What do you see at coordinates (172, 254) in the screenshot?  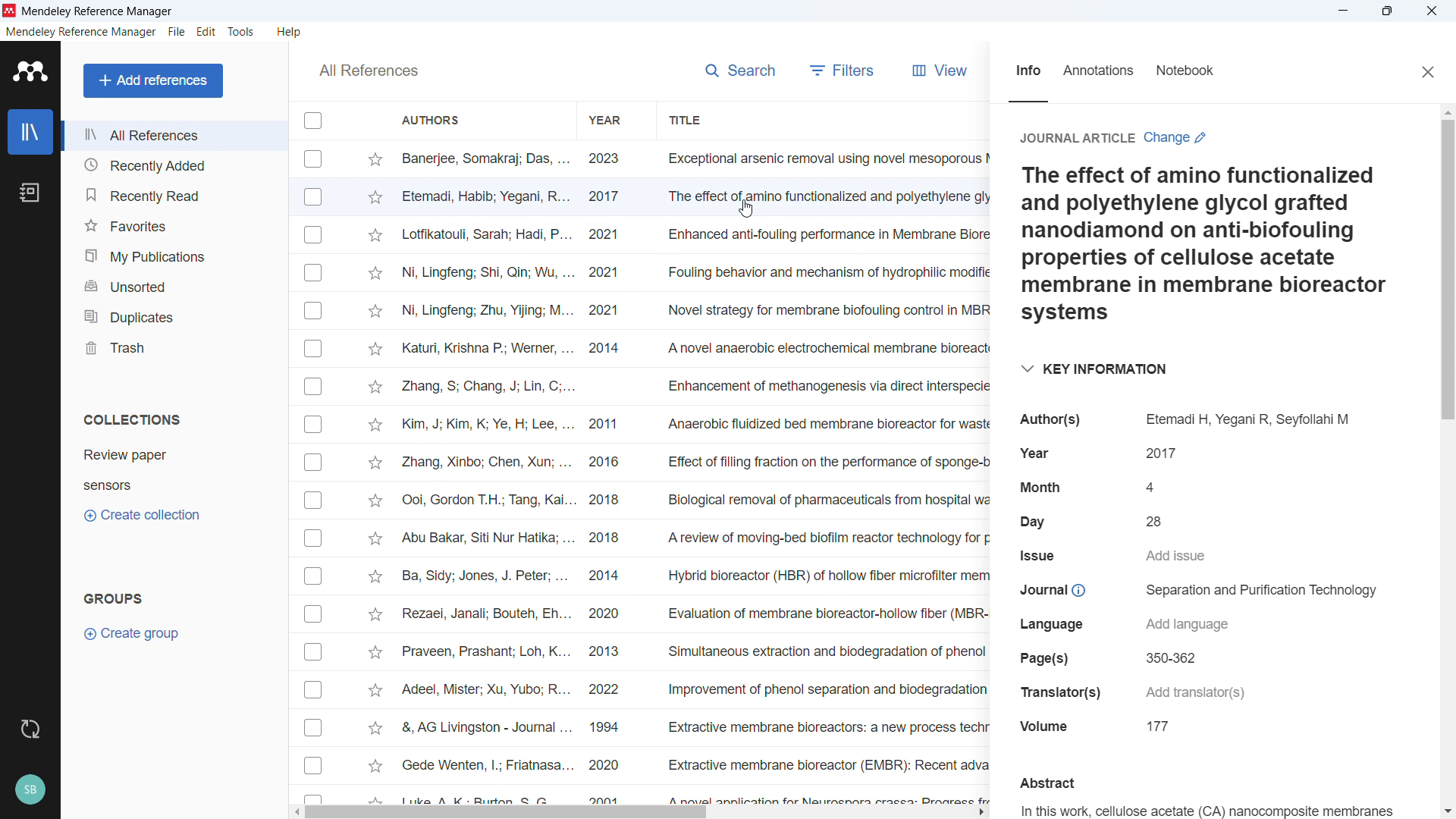 I see `My publications ` at bounding box center [172, 254].